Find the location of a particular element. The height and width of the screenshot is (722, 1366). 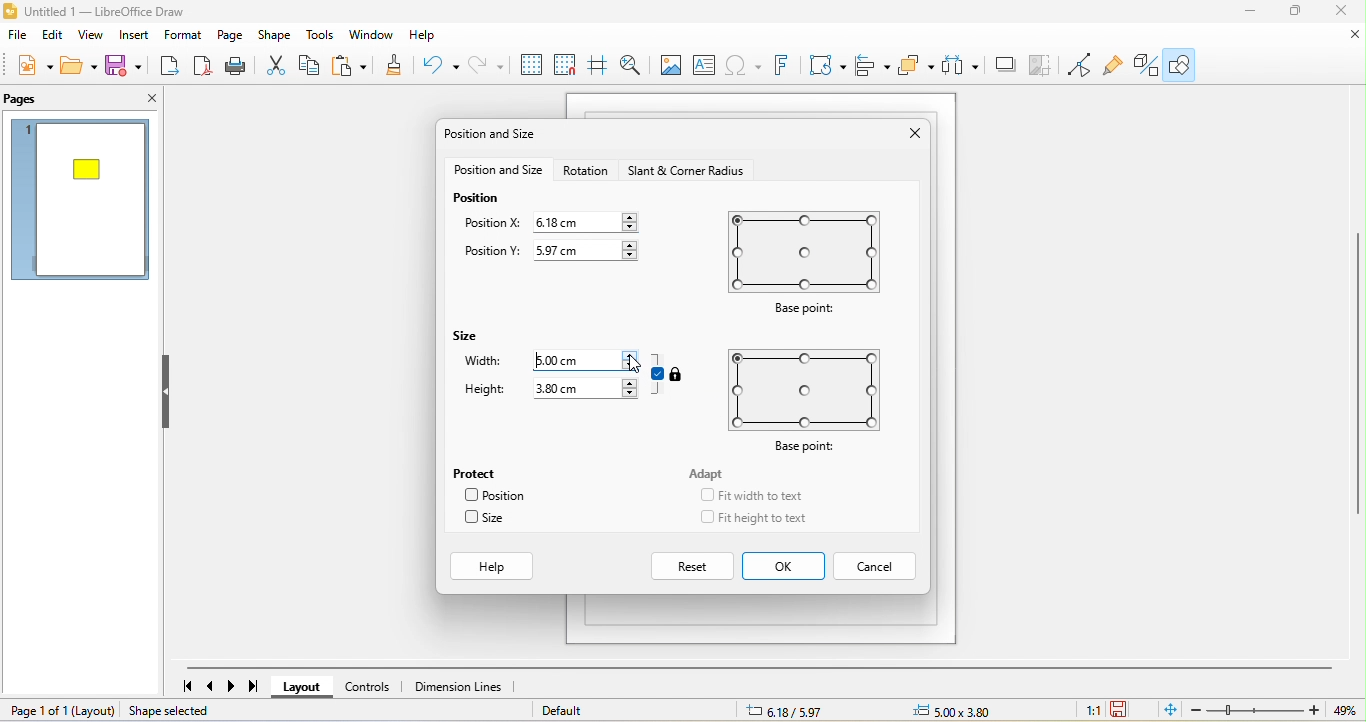

text box is located at coordinates (706, 64).